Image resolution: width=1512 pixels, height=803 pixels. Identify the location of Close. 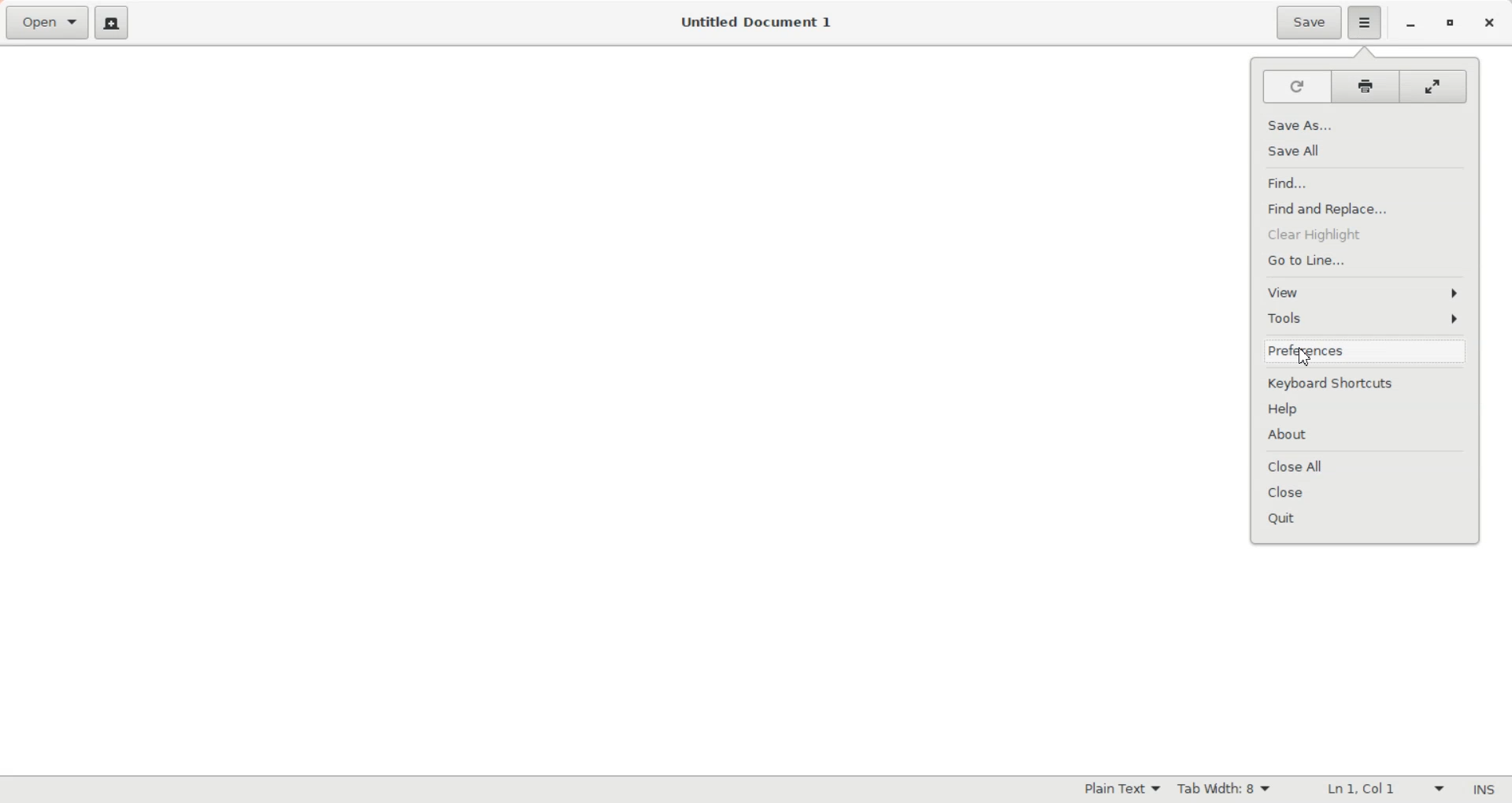
(1368, 492).